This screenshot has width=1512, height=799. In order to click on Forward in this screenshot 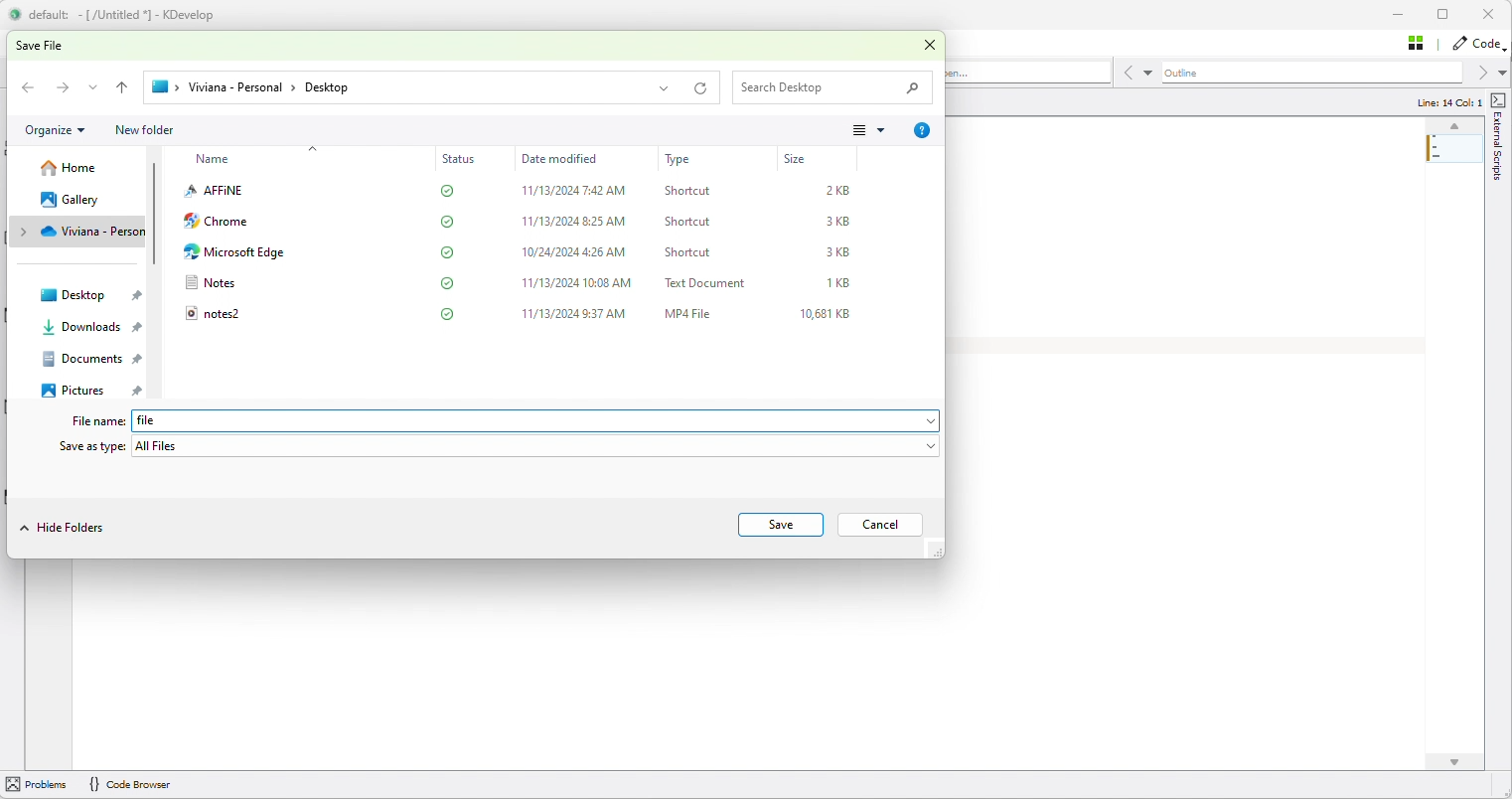, I will do `click(64, 86)`.